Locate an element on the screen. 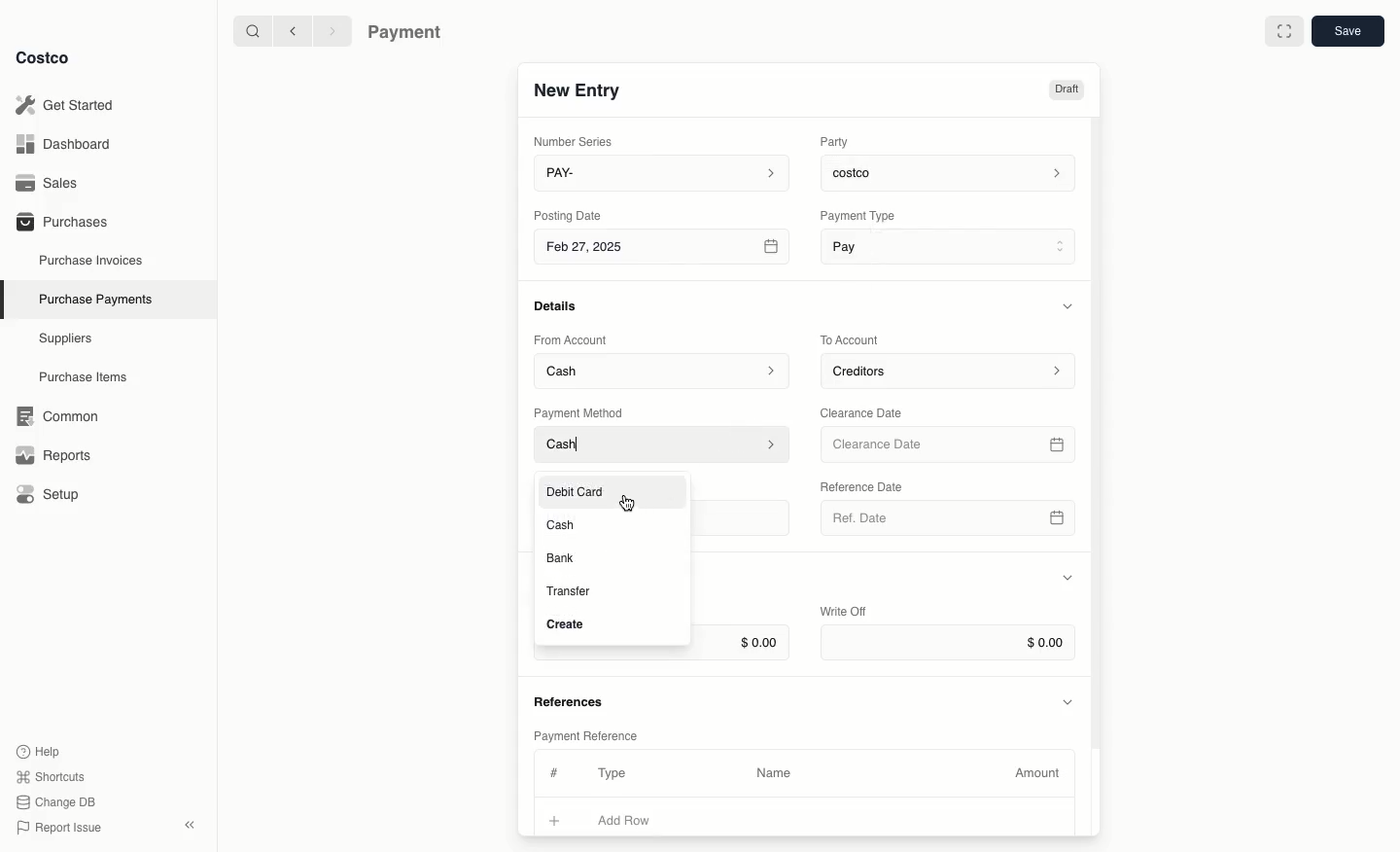 The width and height of the screenshot is (1400, 852). $0.00 is located at coordinates (948, 643).